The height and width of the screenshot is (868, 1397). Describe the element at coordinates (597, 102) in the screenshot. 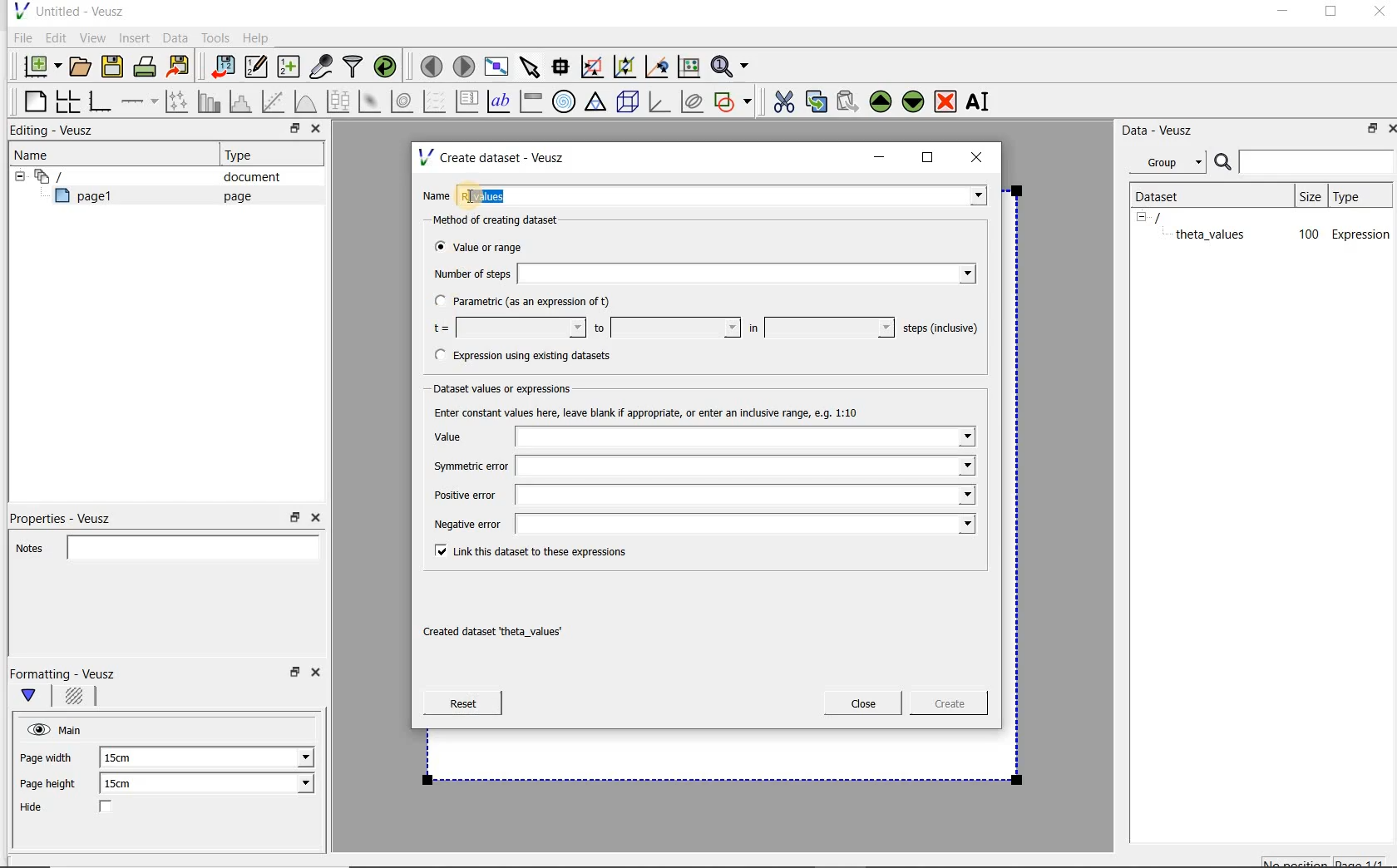

I see `ternary graph` at that location.